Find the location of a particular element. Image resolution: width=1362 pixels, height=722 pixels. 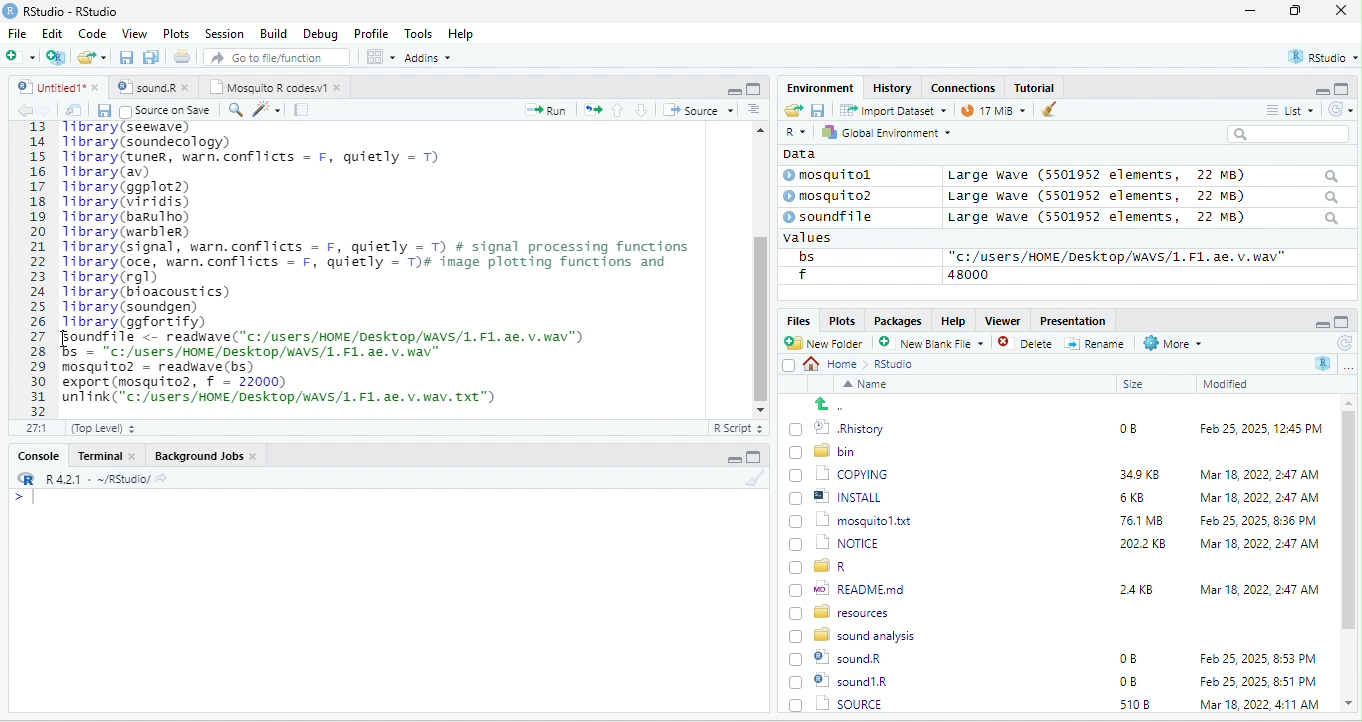

Ld bin is located at coordinates (825, 450).